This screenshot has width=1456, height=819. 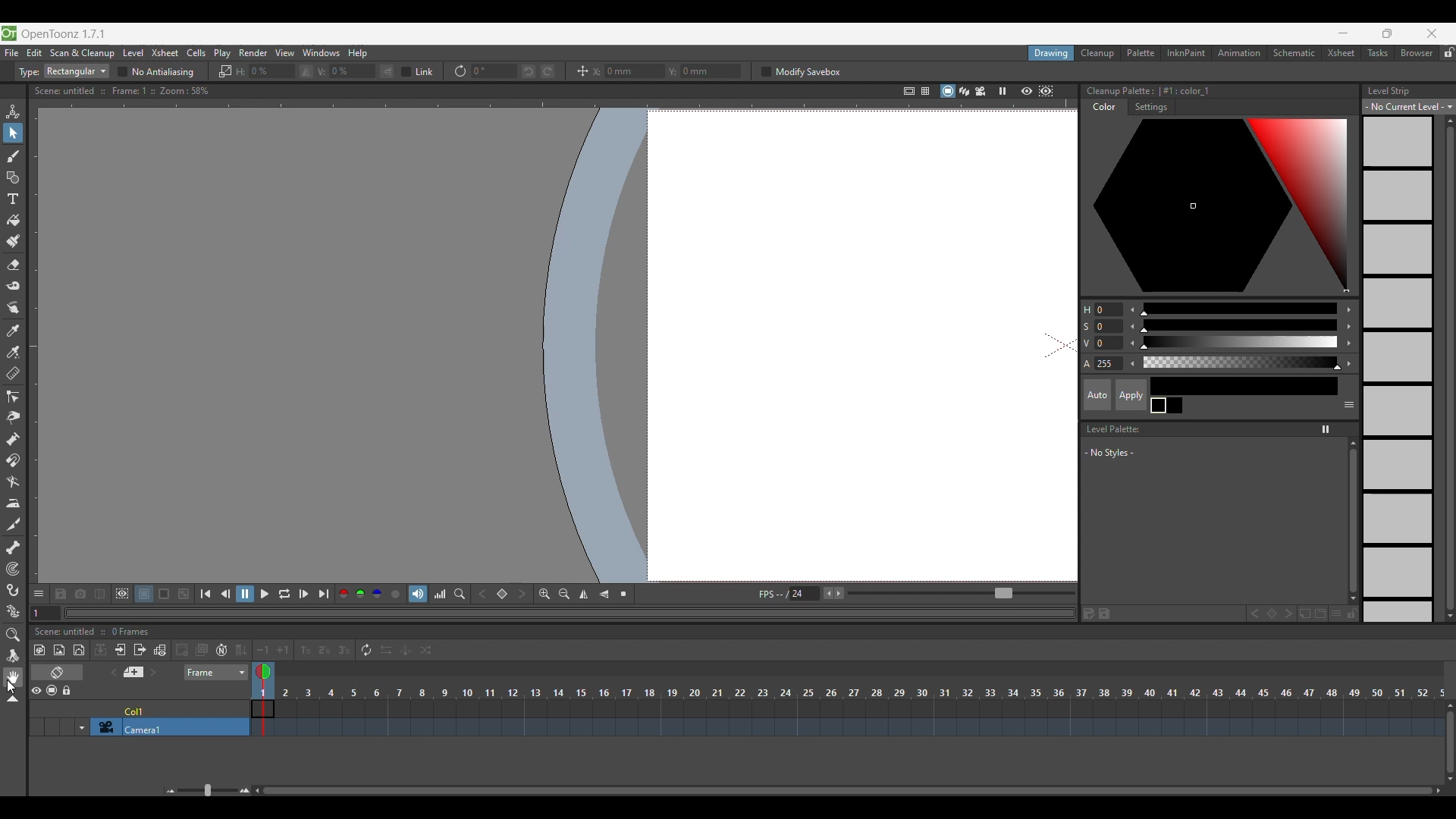 What do you see at coordinates (39, 650) in the screenshot?
I see `New toonz raster level` at bounding box center [39, 650].